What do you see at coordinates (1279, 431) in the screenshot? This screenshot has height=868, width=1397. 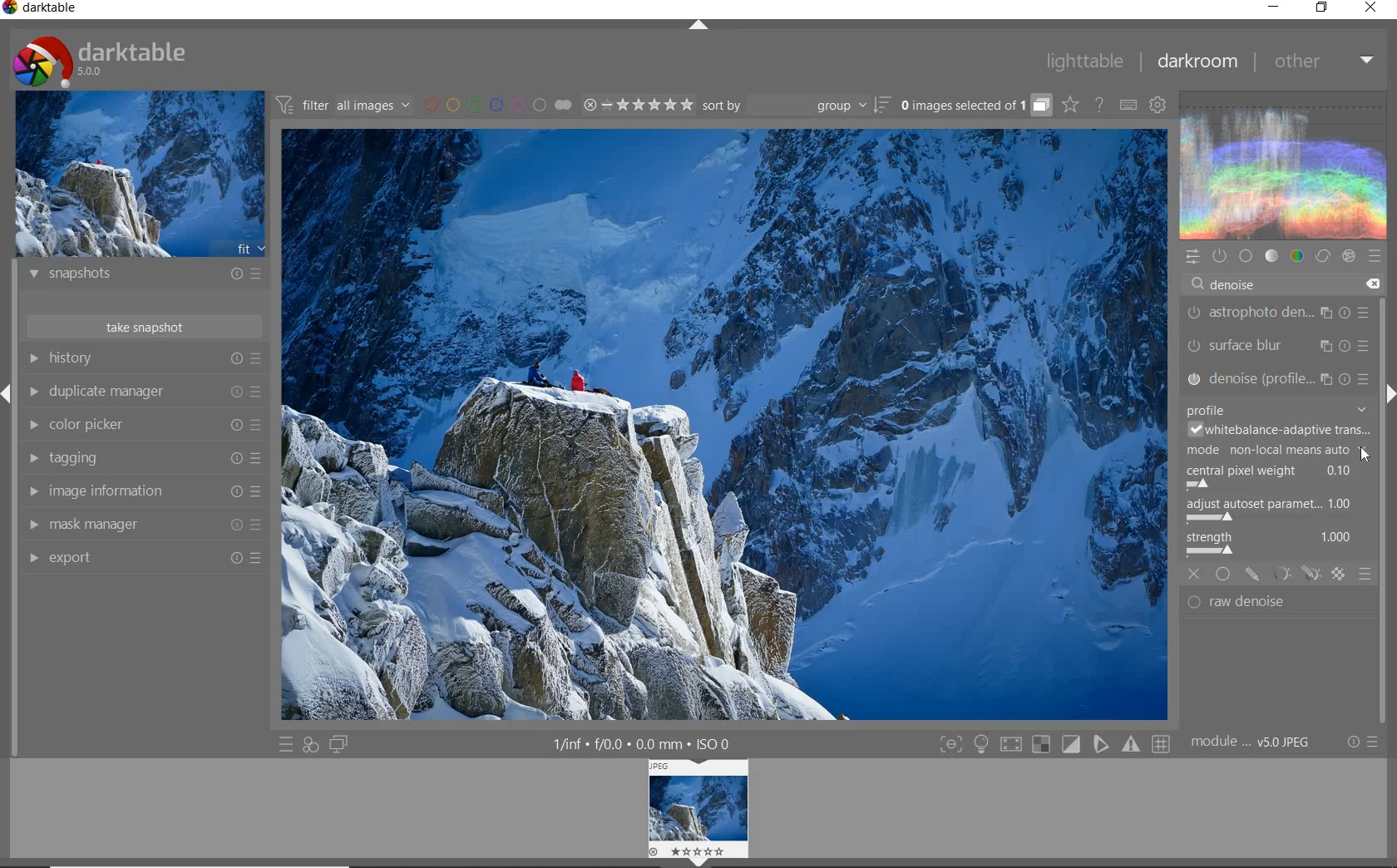 I see `whitebalance-adaptive transition` at bounding box center [1279, 431].